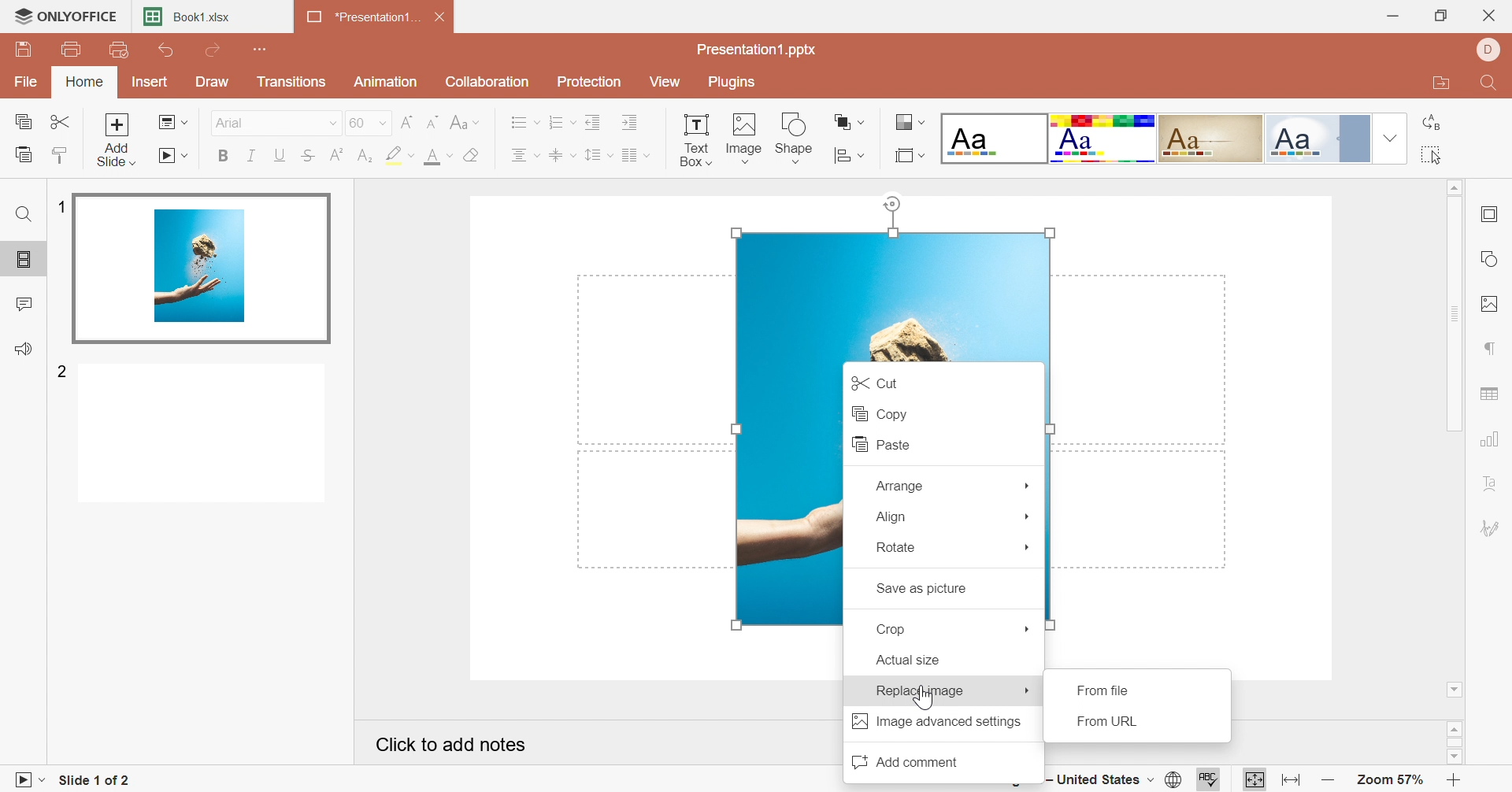 The image size is (1512, 792). I want to click on Open file location, so click(1440, 86).